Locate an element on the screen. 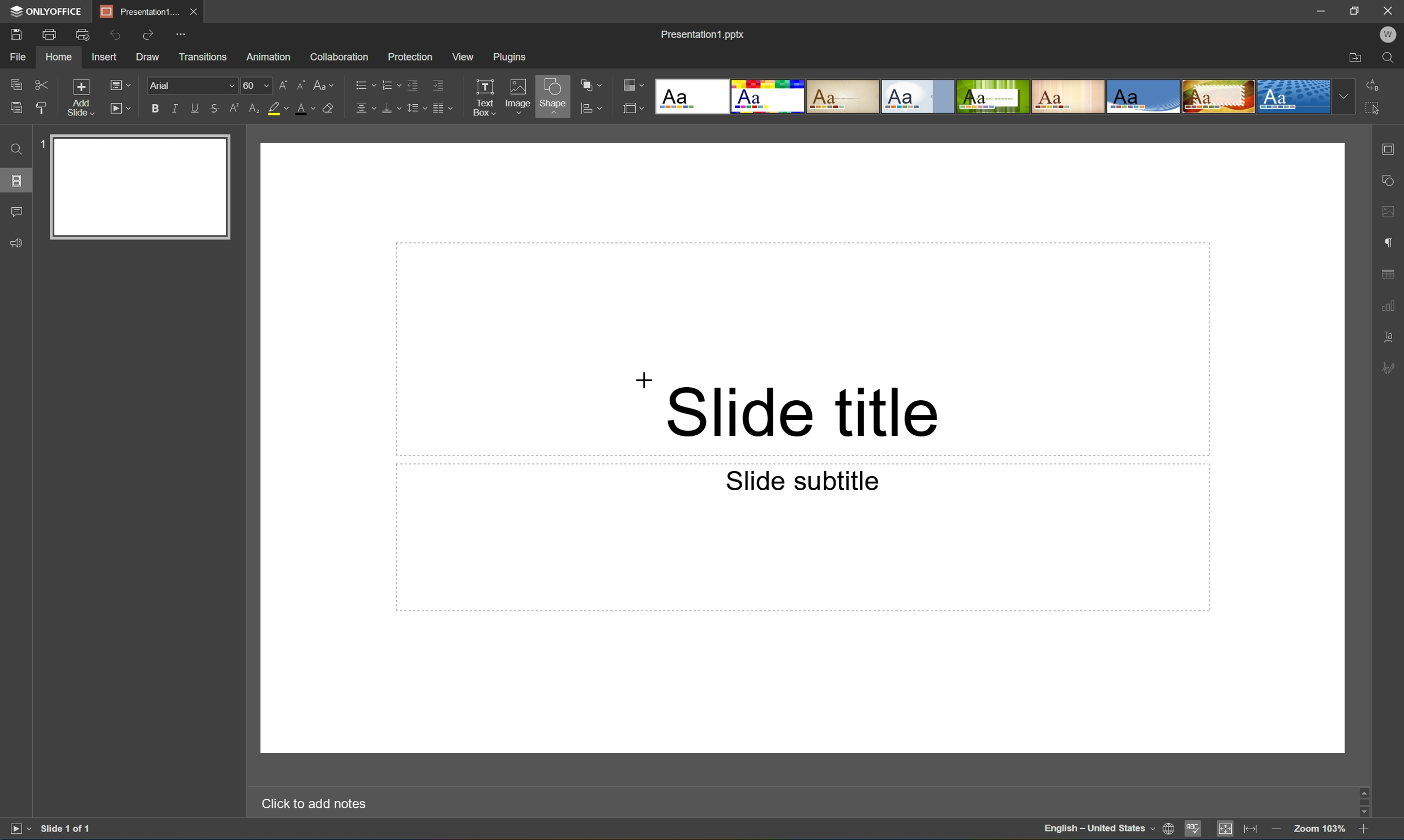 The height and width of the screenshot is (840, 1404). Paste is located at coordinates (16, 109).